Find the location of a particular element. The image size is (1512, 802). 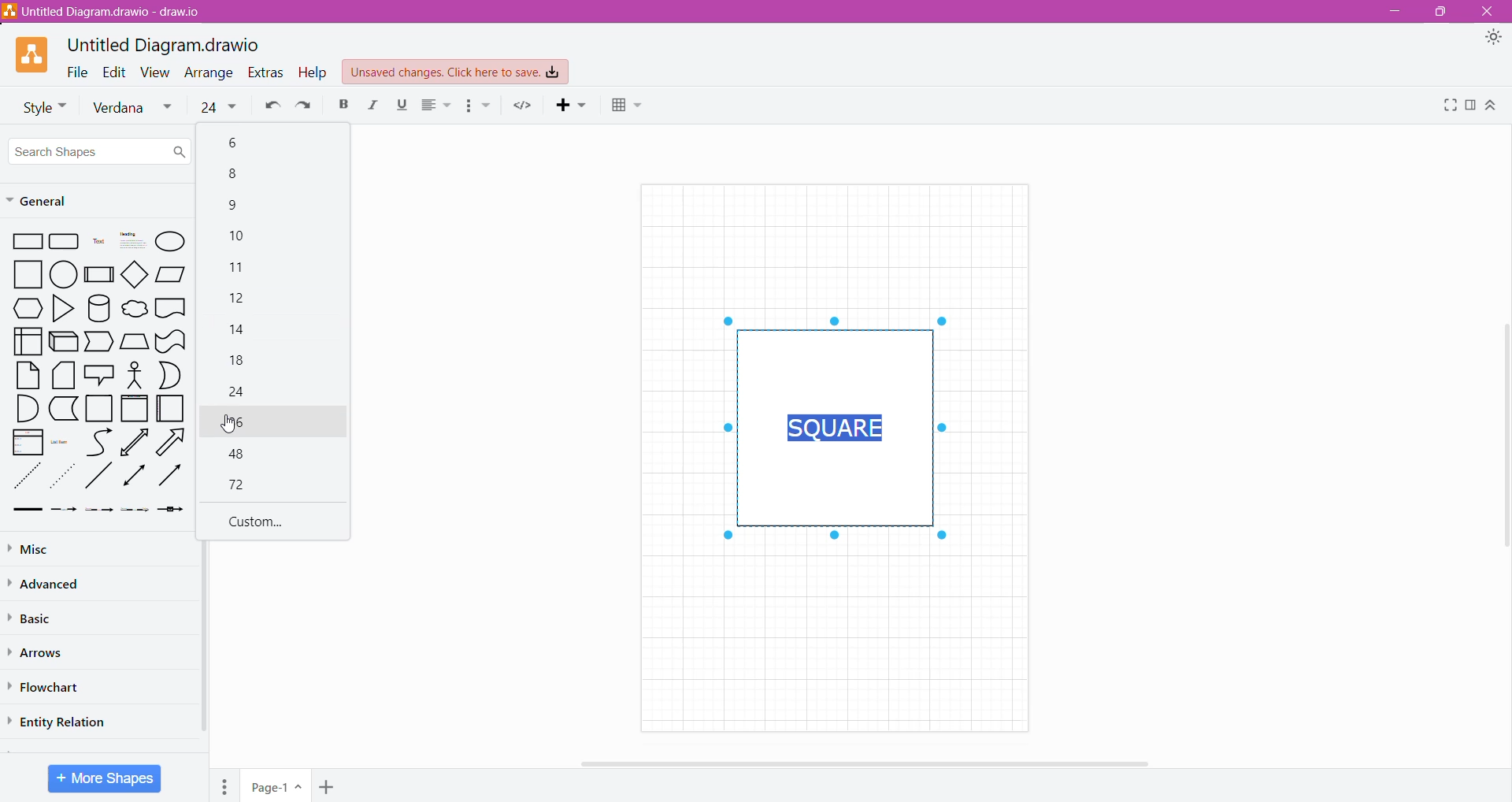

72 is located at coordinates (241, 484).